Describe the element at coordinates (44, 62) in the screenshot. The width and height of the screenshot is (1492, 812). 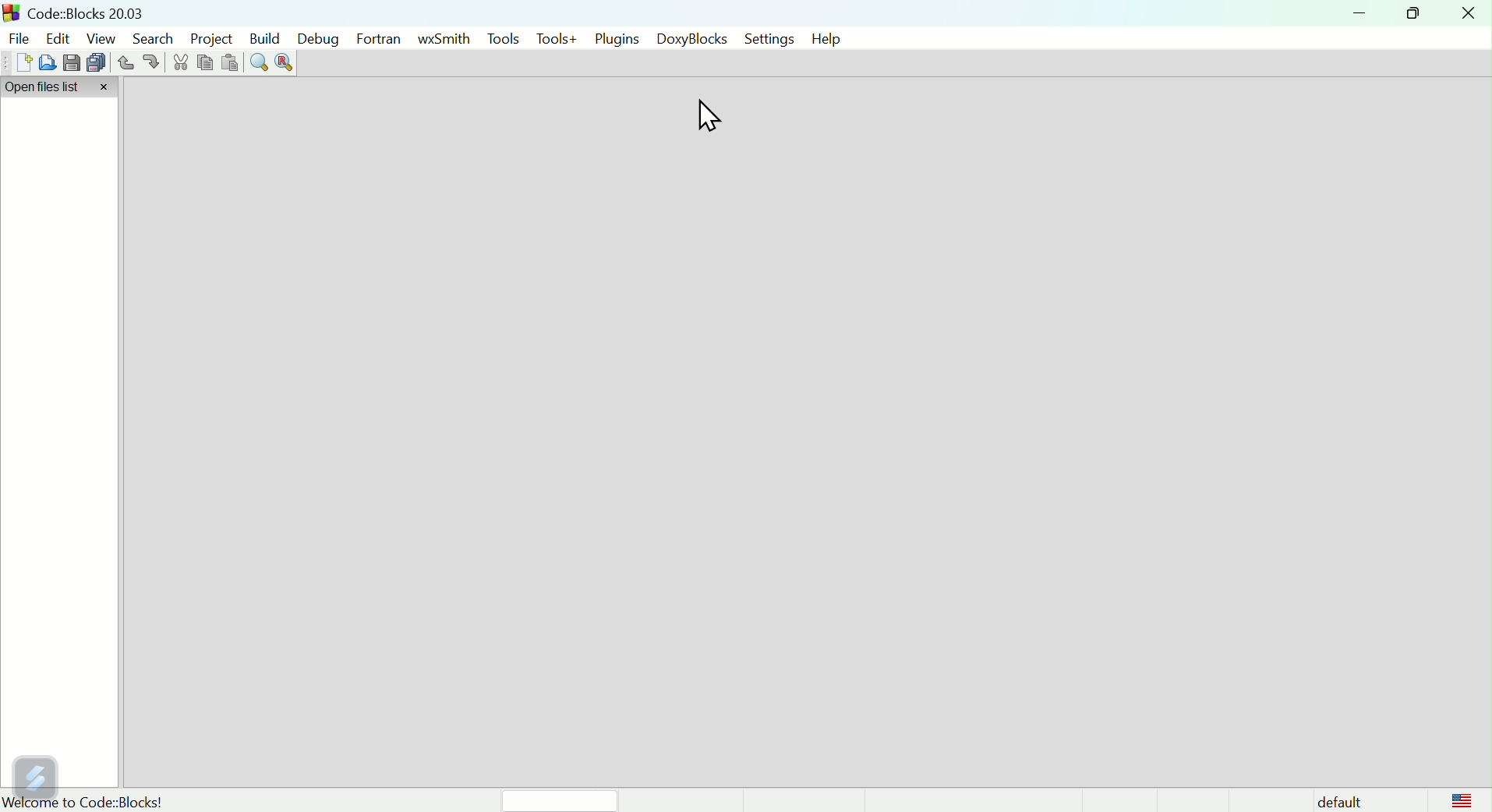
I see `Open file` at that location.